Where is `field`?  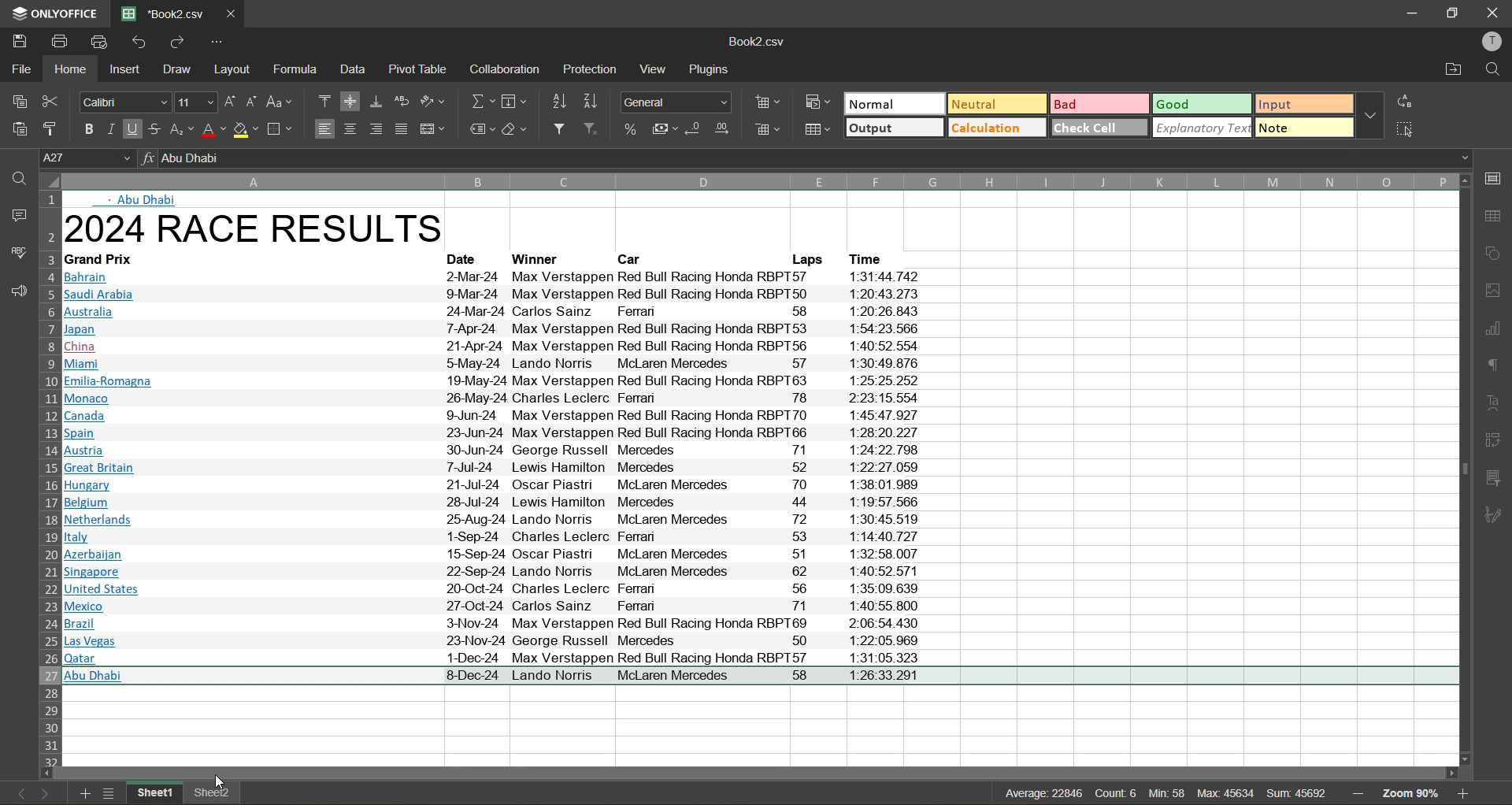
field is located at coordinates (513, 103).